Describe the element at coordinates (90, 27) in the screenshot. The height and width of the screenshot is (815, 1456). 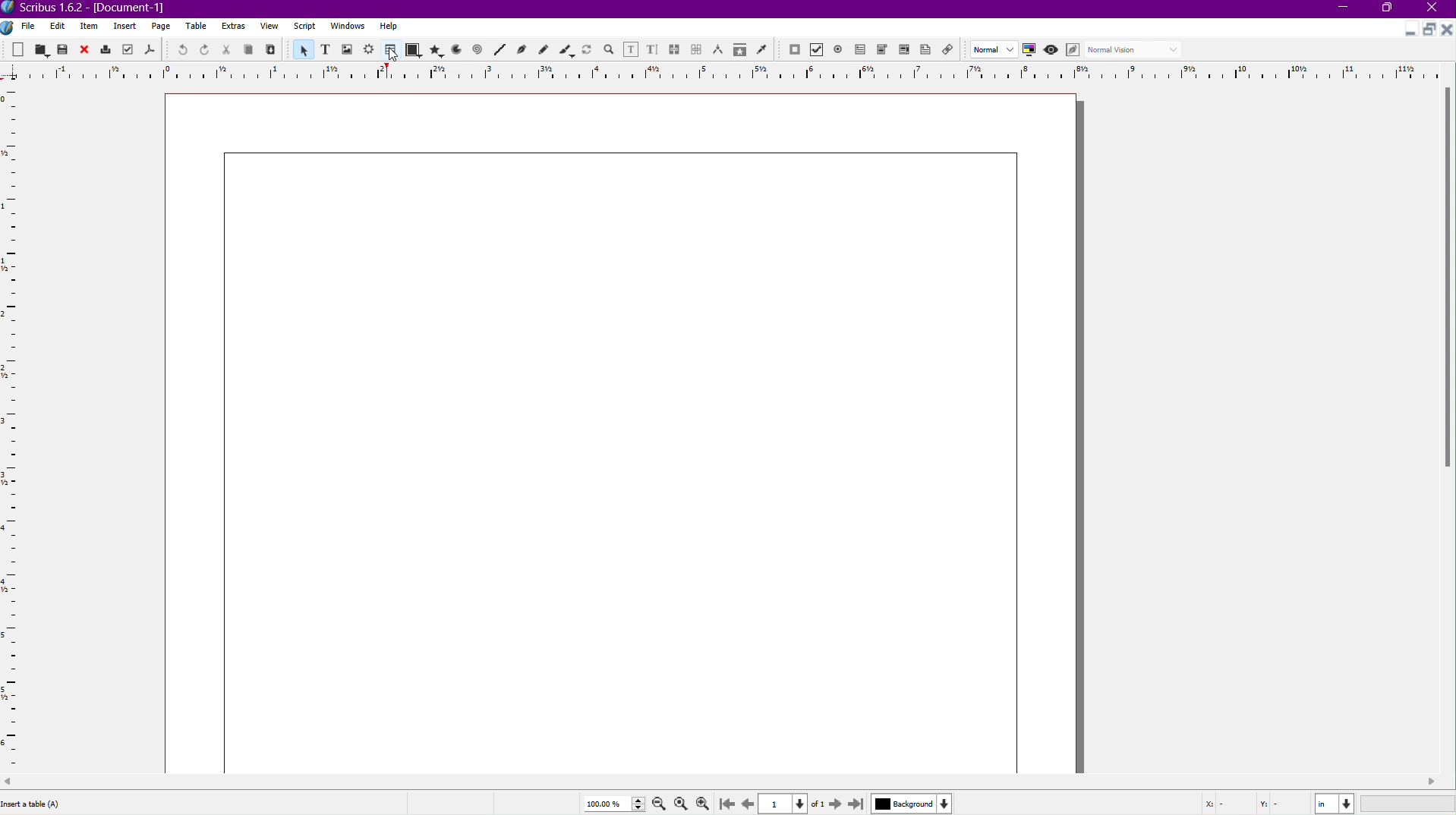
I see `Item` at that location.